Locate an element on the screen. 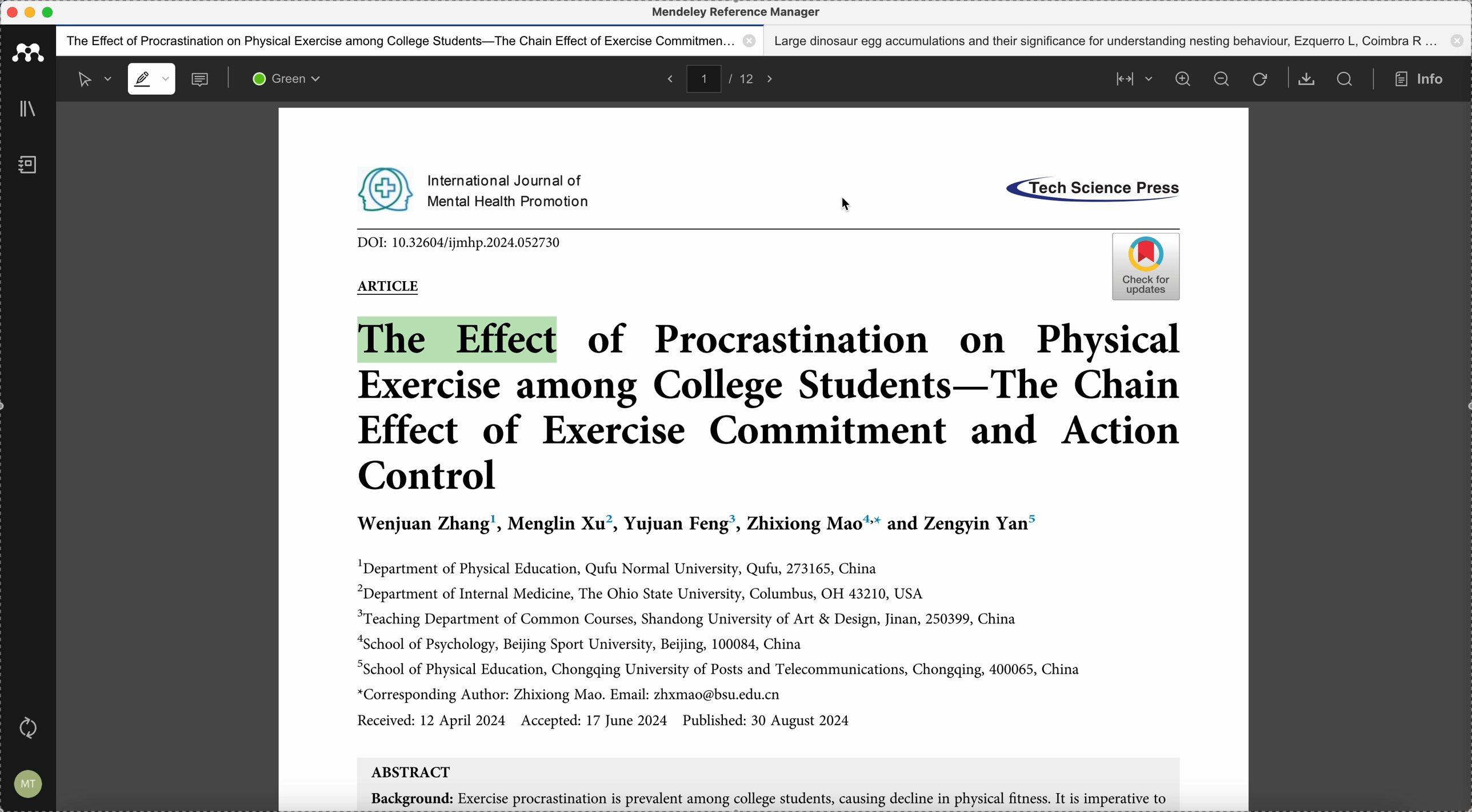 This screenshot has width=1472, height=812. minimize is located at coordinates (33, 12).